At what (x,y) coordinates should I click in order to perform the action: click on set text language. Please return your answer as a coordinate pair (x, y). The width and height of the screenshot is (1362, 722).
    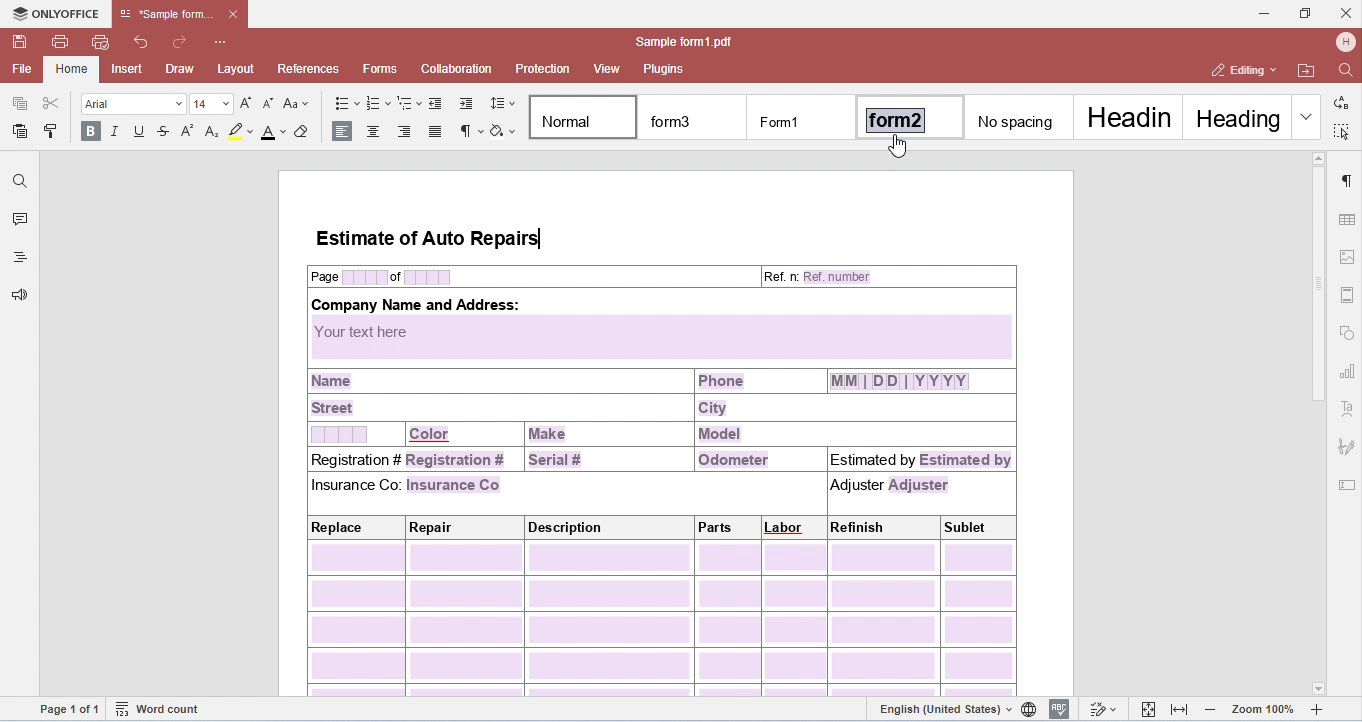
    Looking at the image, I should click on (944, 709).